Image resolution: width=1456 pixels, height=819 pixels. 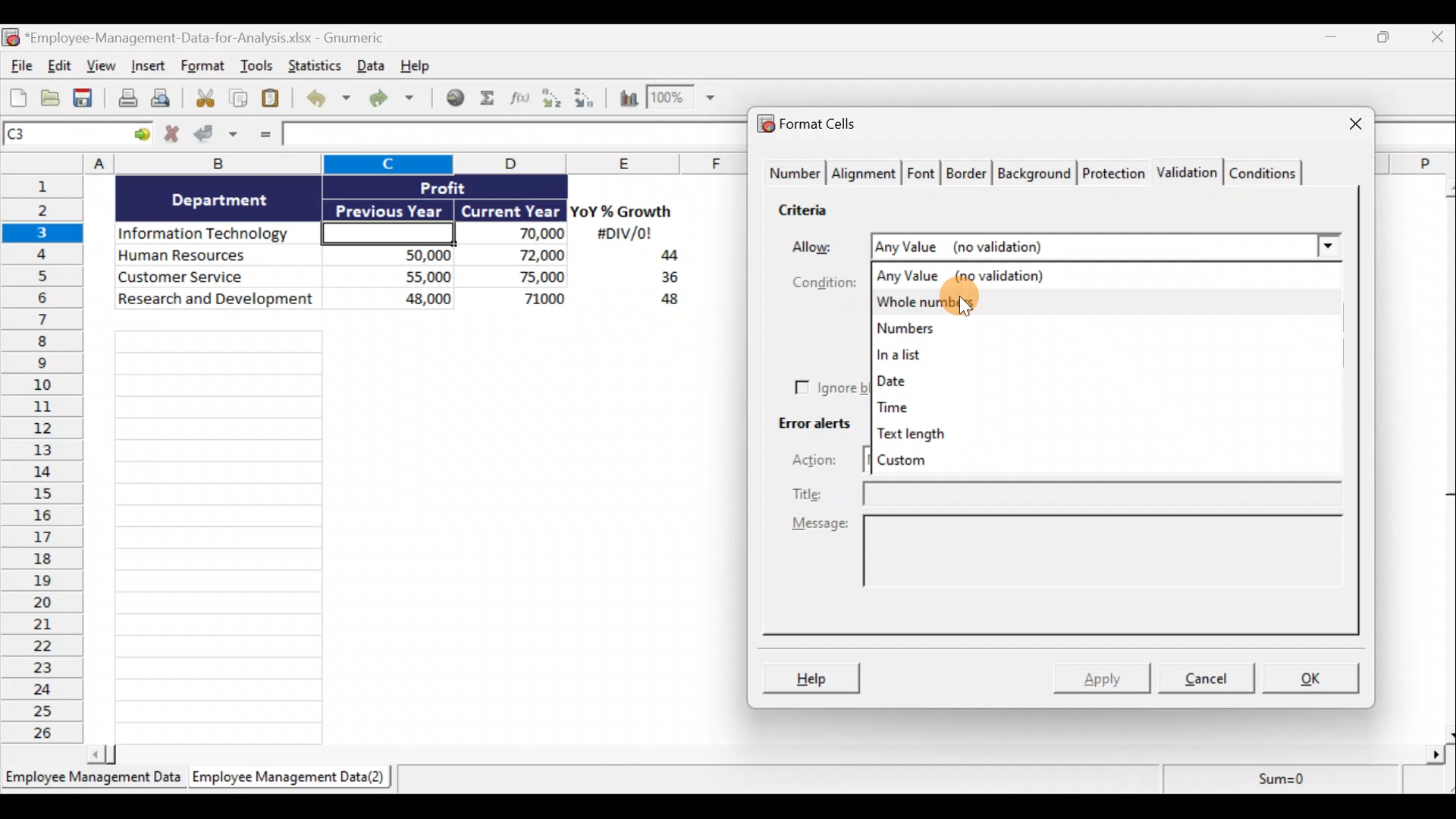 What do you see at coordinates (1018, 247) in the screenshot?
I see `Any Value (no validation)` at bounding box center [1018, 247].